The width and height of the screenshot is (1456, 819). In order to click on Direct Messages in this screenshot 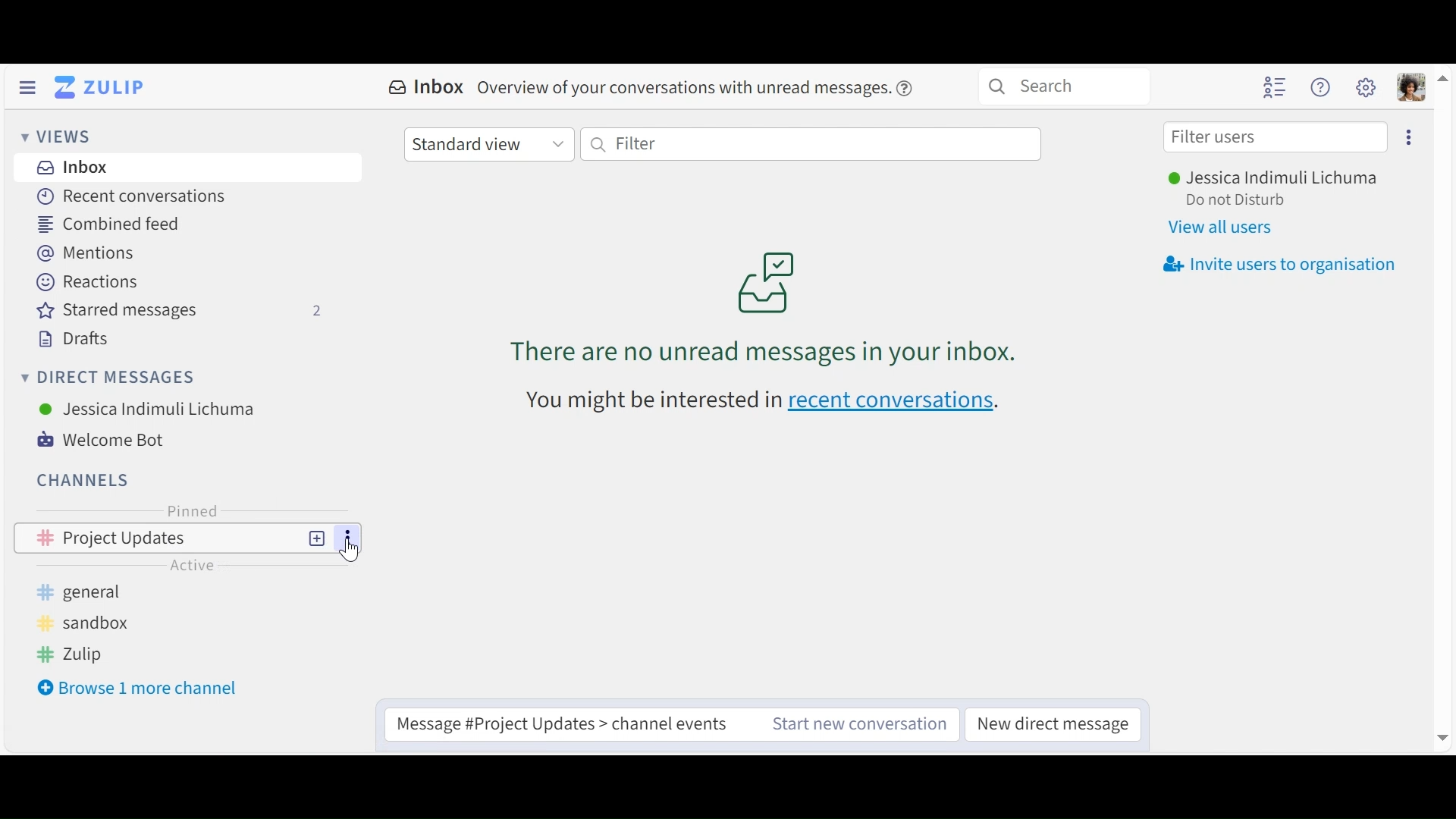, I will do `click(108, 378)`.